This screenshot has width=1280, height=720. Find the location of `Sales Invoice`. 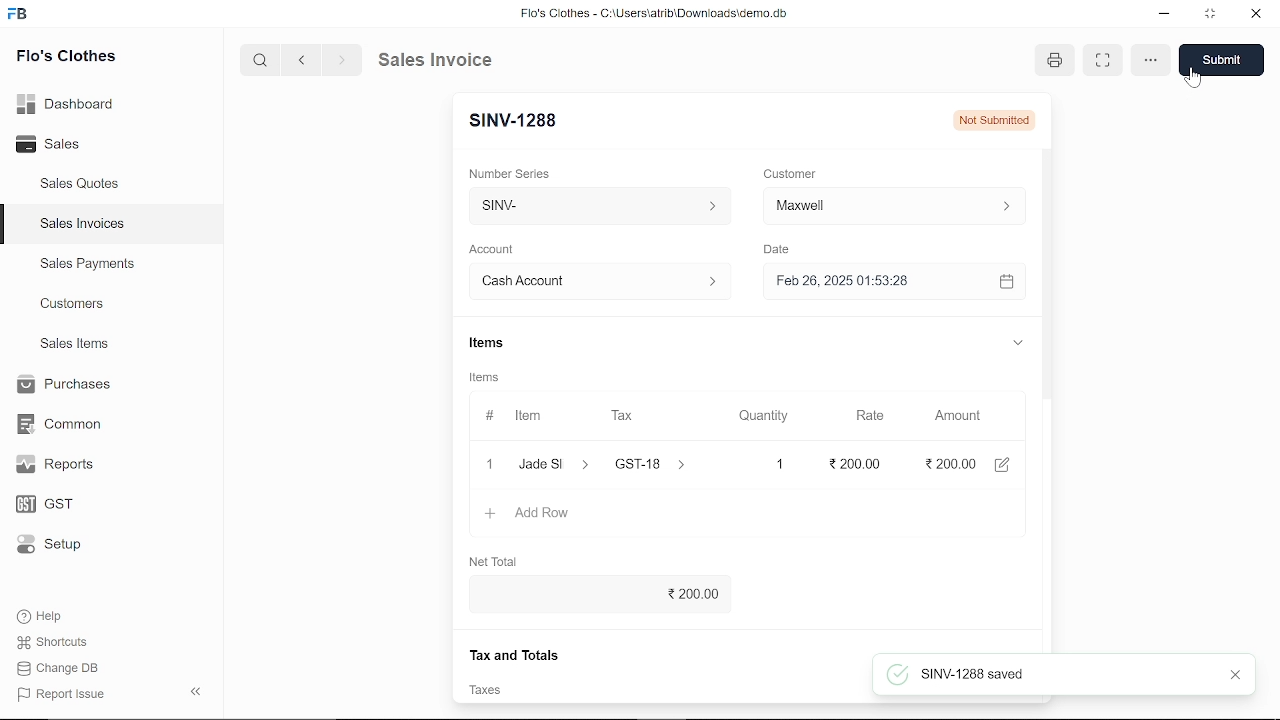

Sales Invoice is located at coordinates (450, 59).